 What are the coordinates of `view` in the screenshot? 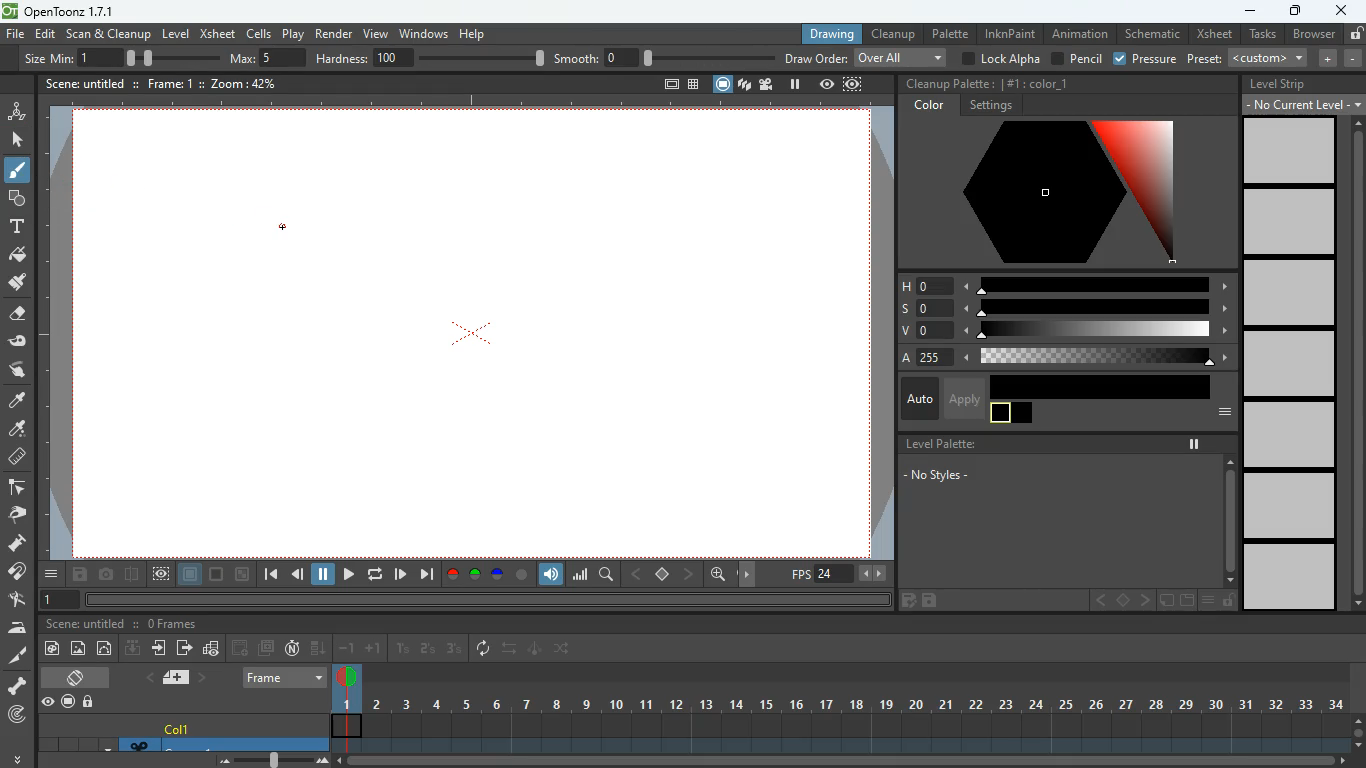 It's located at (47, 702).